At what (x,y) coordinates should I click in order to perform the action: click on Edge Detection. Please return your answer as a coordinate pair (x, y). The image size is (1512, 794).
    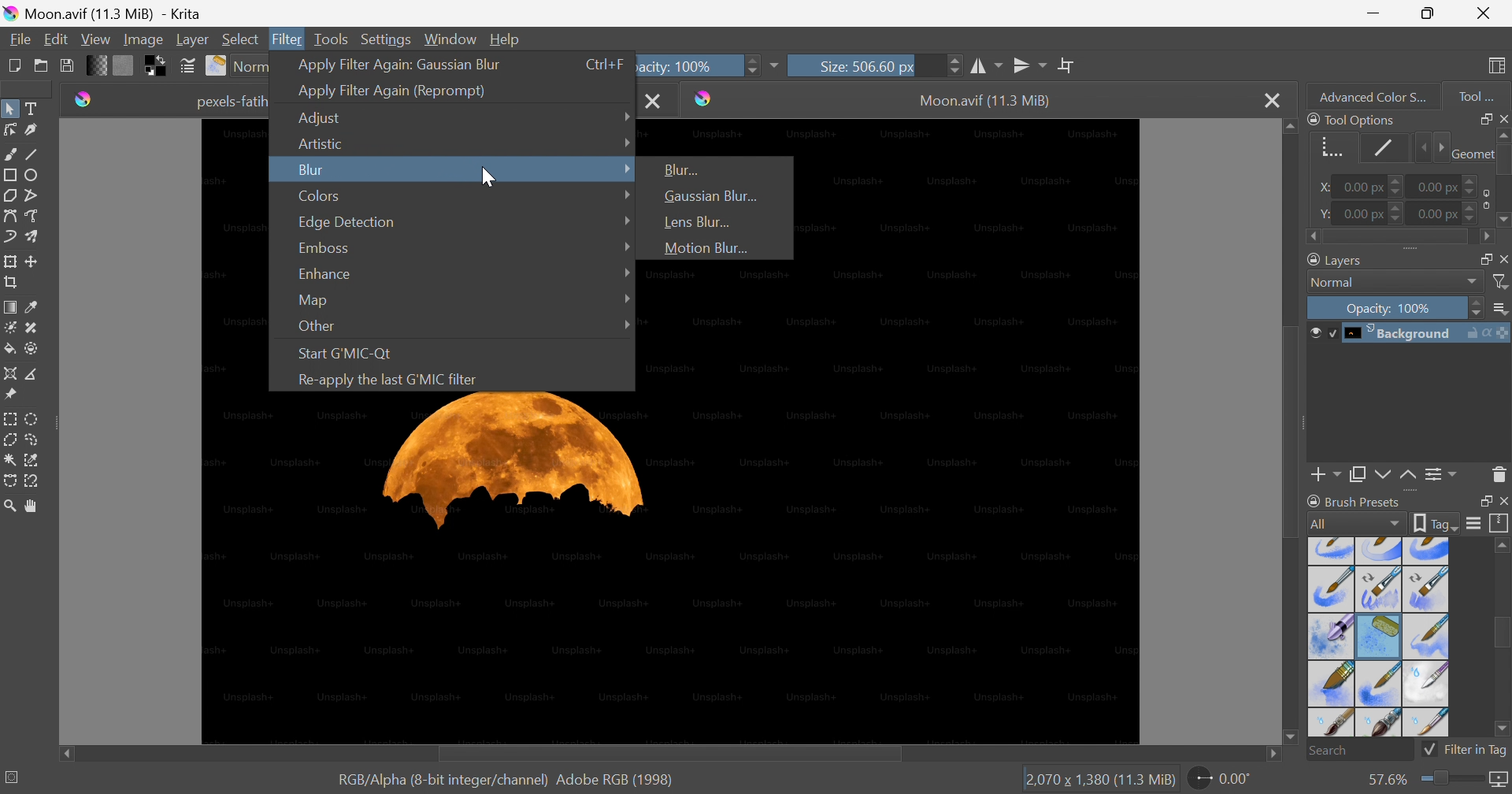
    Looking at the image, I should click on (349, 222).